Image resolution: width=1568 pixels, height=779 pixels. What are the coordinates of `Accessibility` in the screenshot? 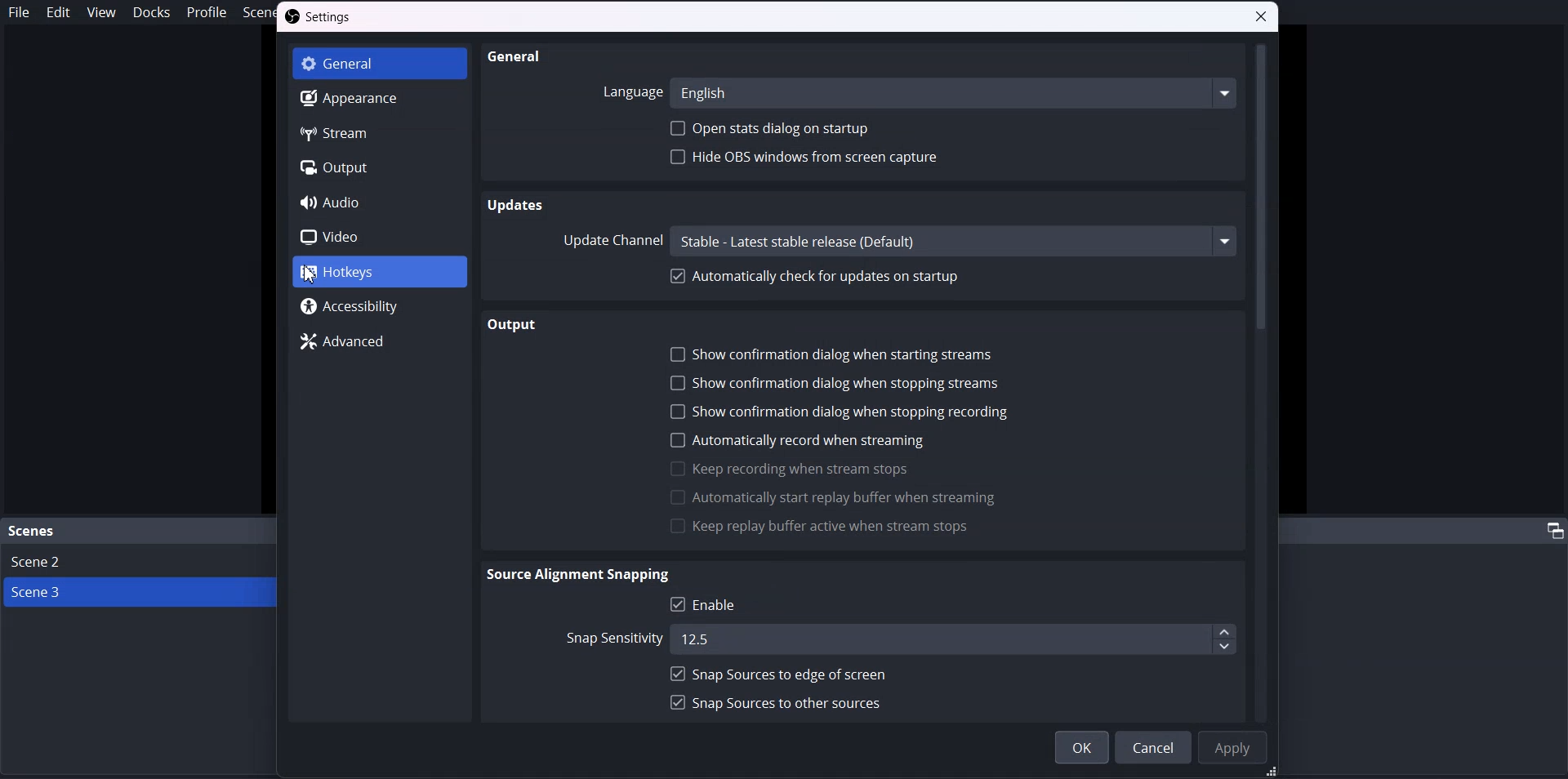 It's located at (381, 306).